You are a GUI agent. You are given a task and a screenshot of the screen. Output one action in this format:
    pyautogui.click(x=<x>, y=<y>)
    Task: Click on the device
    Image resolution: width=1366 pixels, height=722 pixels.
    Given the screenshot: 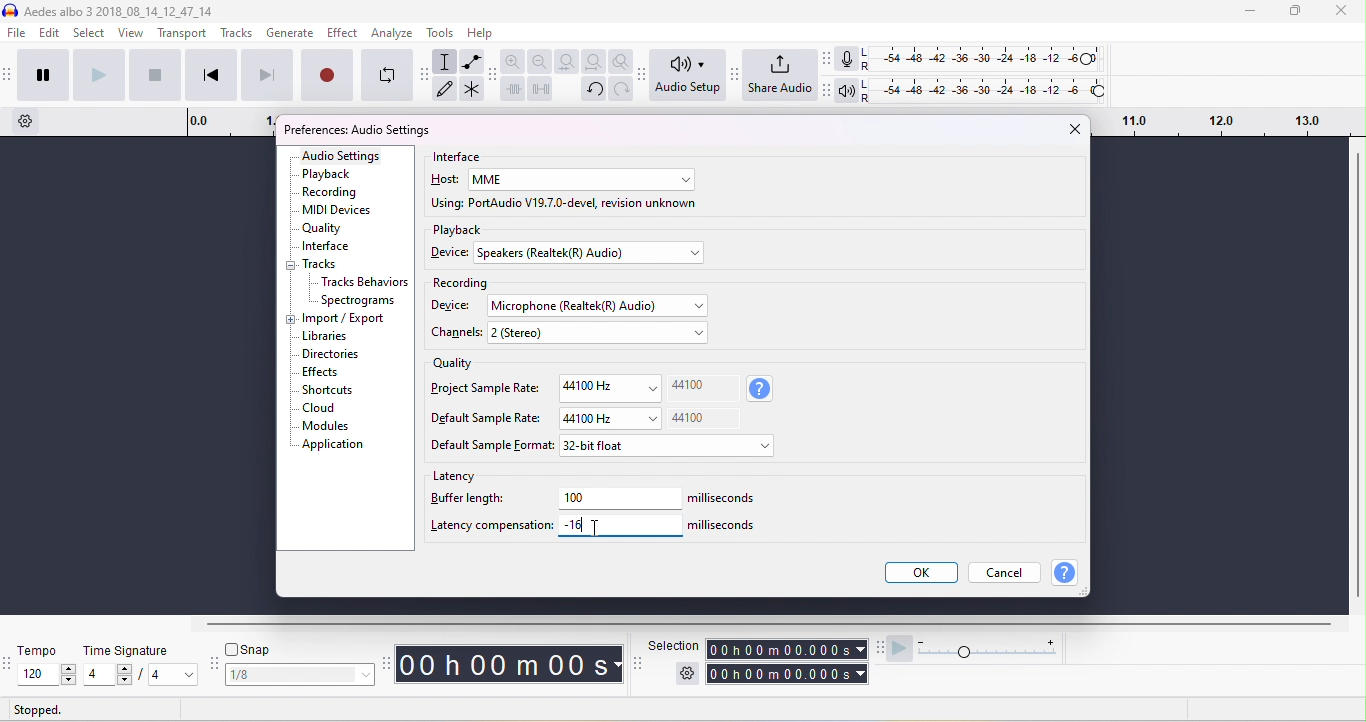 What is the action you would take?
    pyautogui.click(x=451, y=305)
    